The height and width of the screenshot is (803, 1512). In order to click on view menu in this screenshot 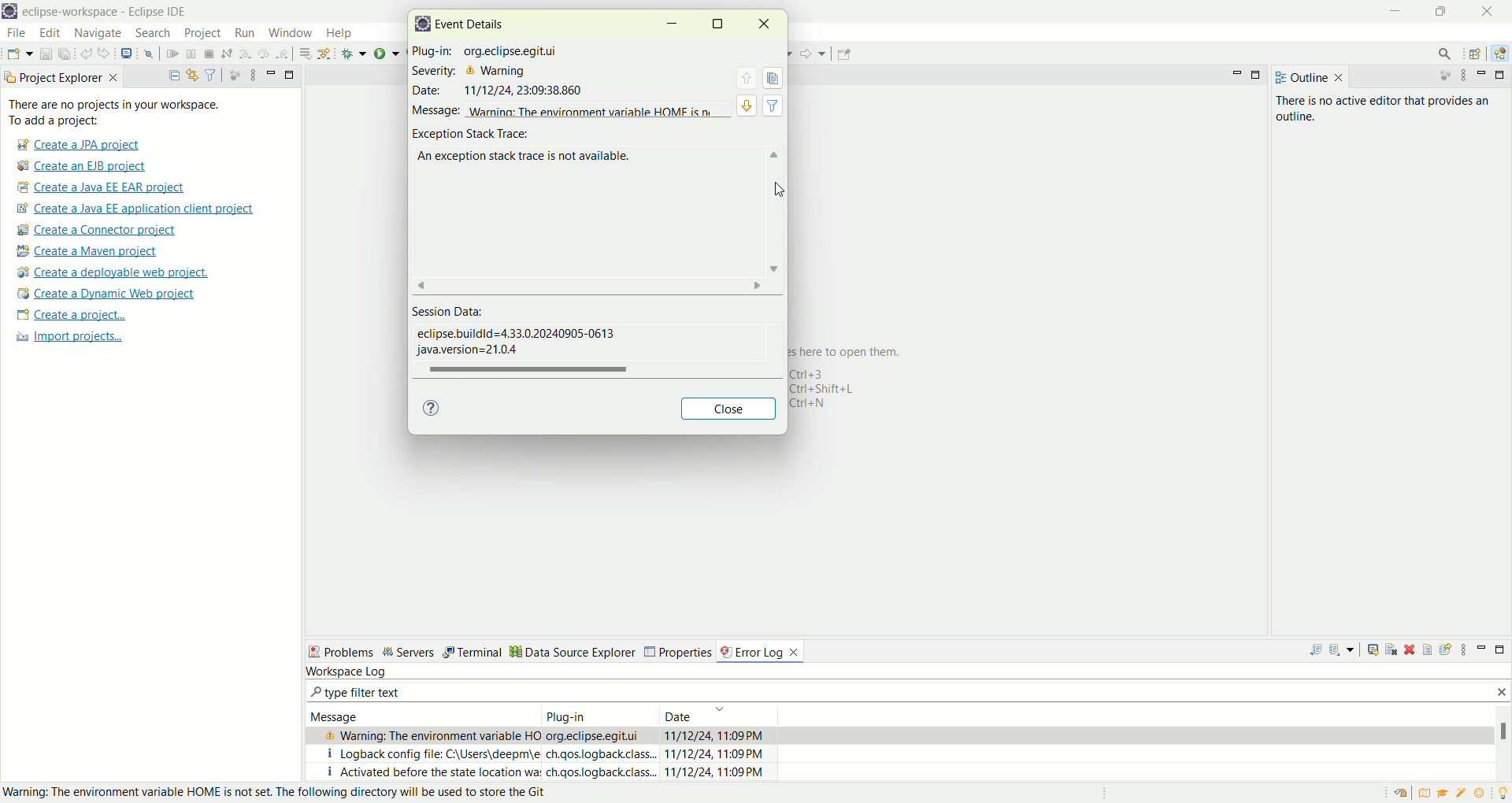, I will do `click(250, 75)`.